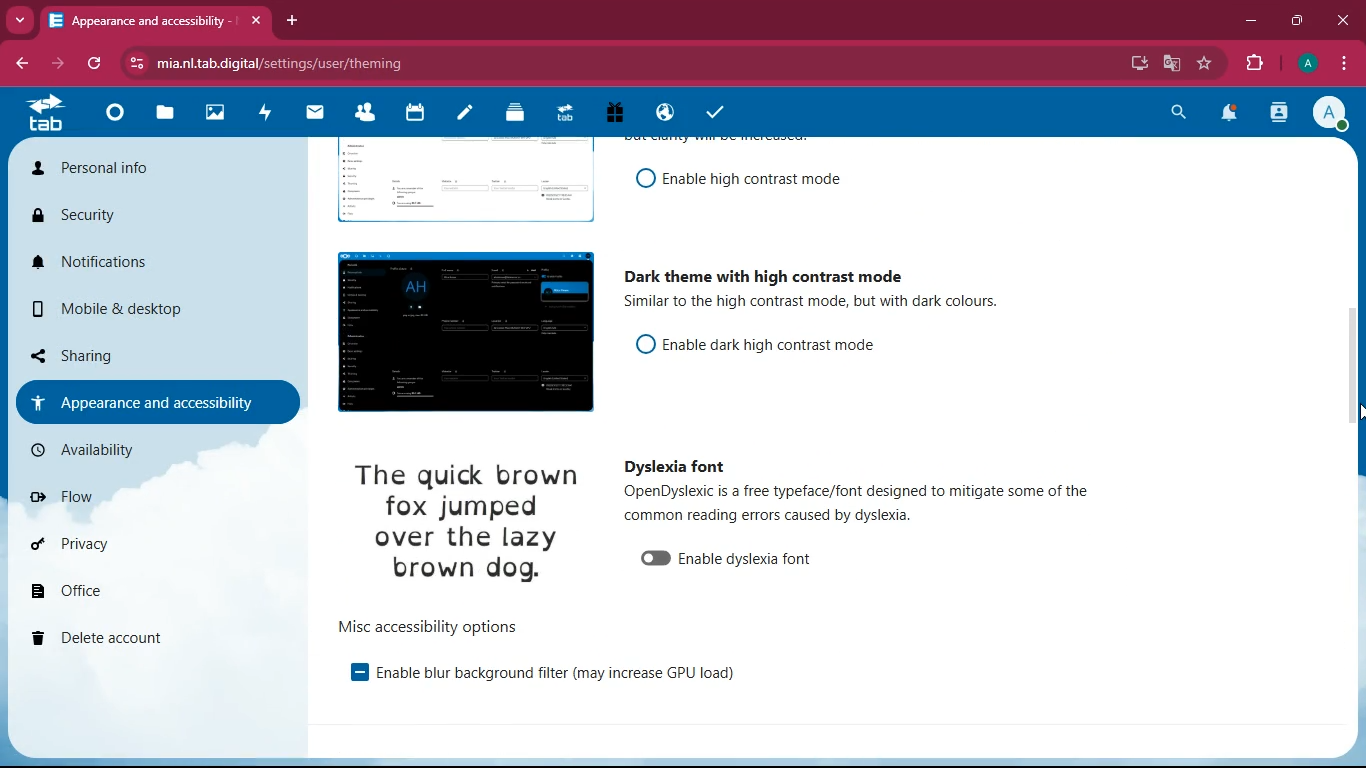 This screenshot has width=1366, height=768. Describe the element at coordinates (158, 401) in the screenshot. I see `appearance` at that location.